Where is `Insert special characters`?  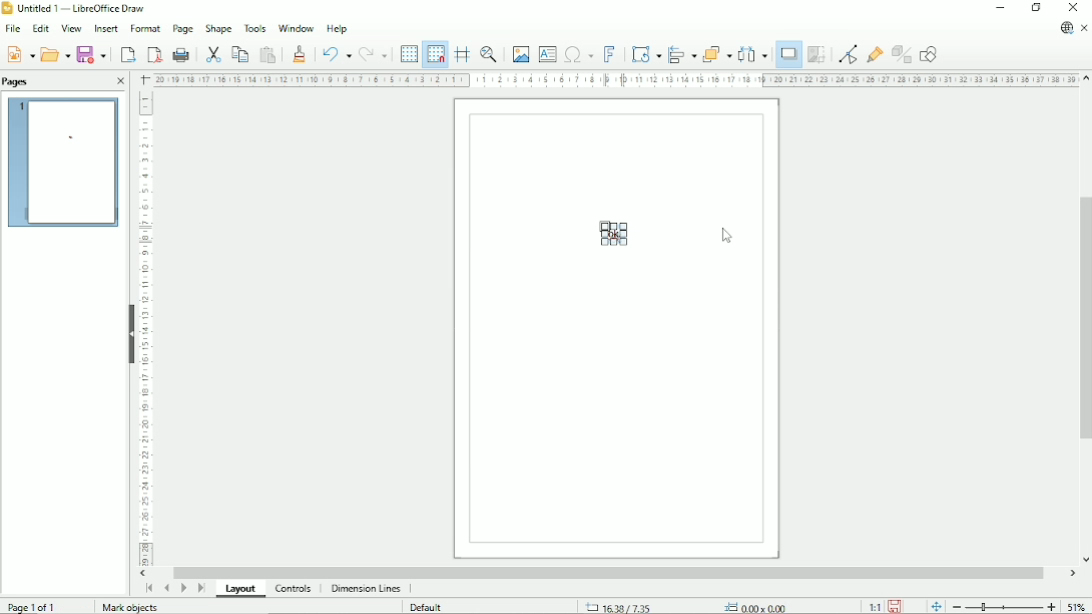 Insert special characters is located at coordinates (578, 53).